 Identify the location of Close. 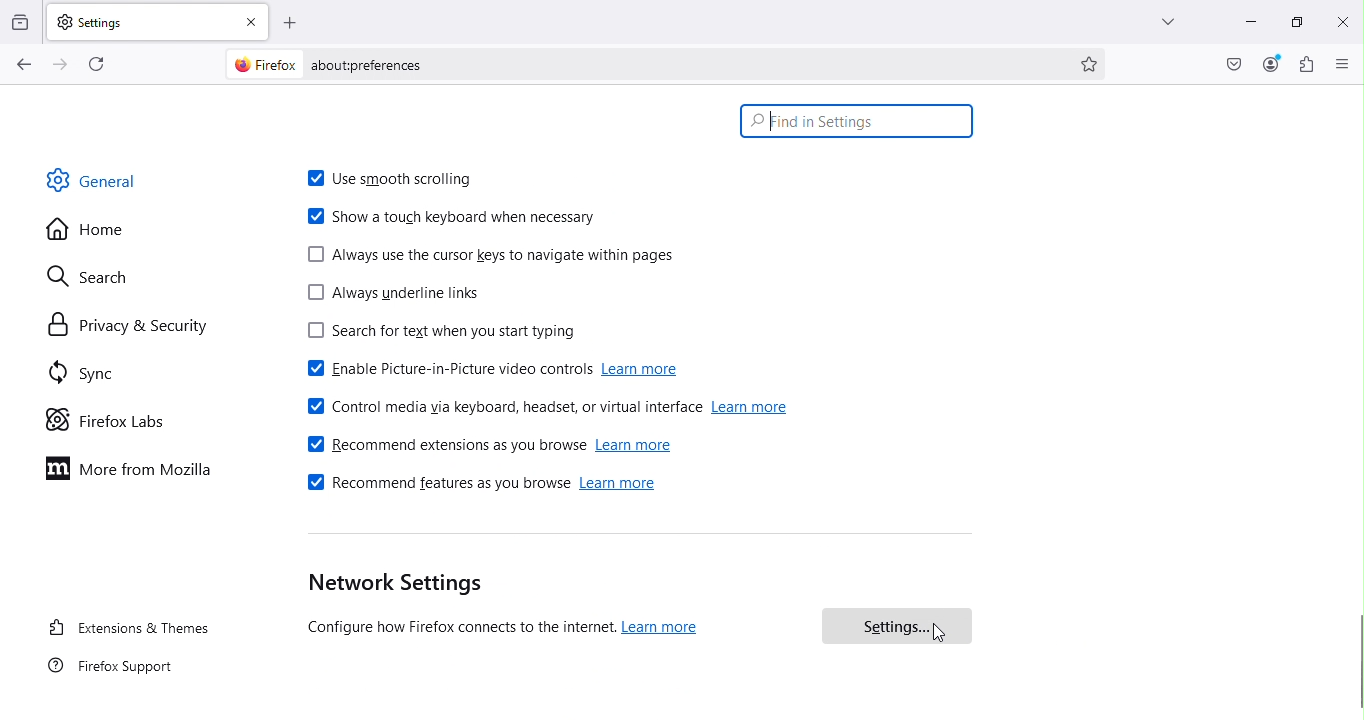
(1342, 21).